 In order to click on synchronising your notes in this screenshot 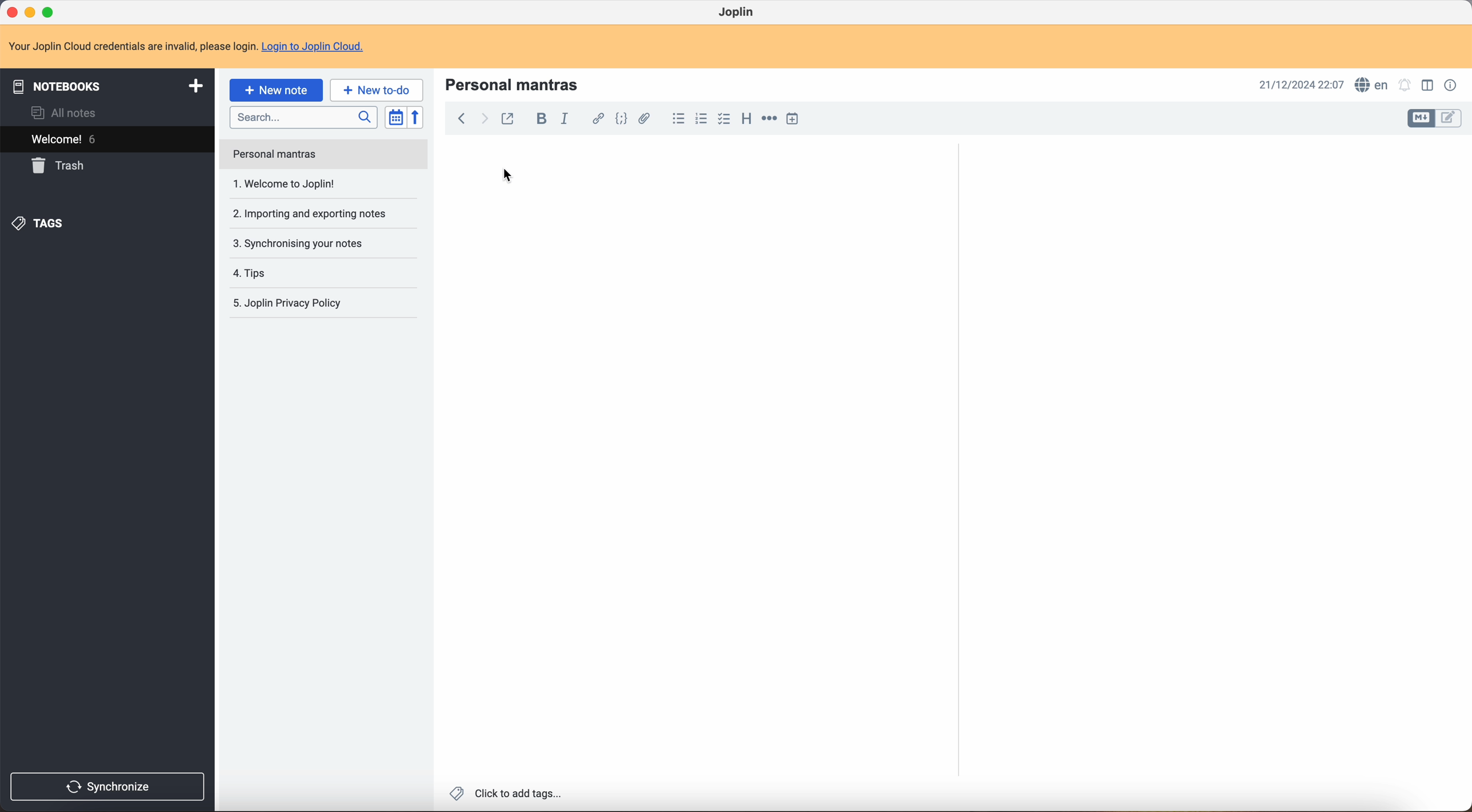, I will do `click(315, 217)`.